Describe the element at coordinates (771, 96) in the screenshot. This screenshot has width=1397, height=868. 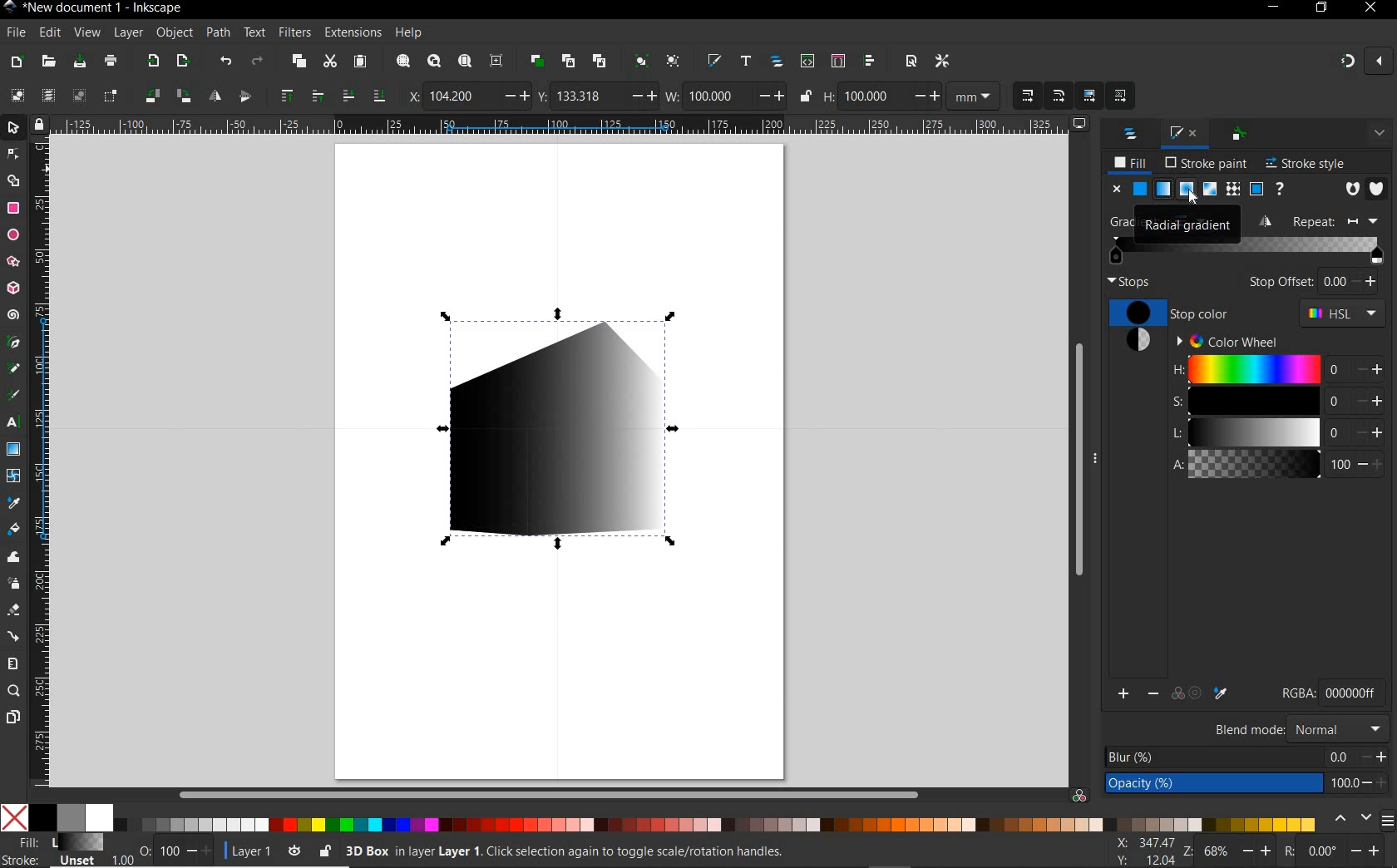
I see `increase/decrease` at that location.